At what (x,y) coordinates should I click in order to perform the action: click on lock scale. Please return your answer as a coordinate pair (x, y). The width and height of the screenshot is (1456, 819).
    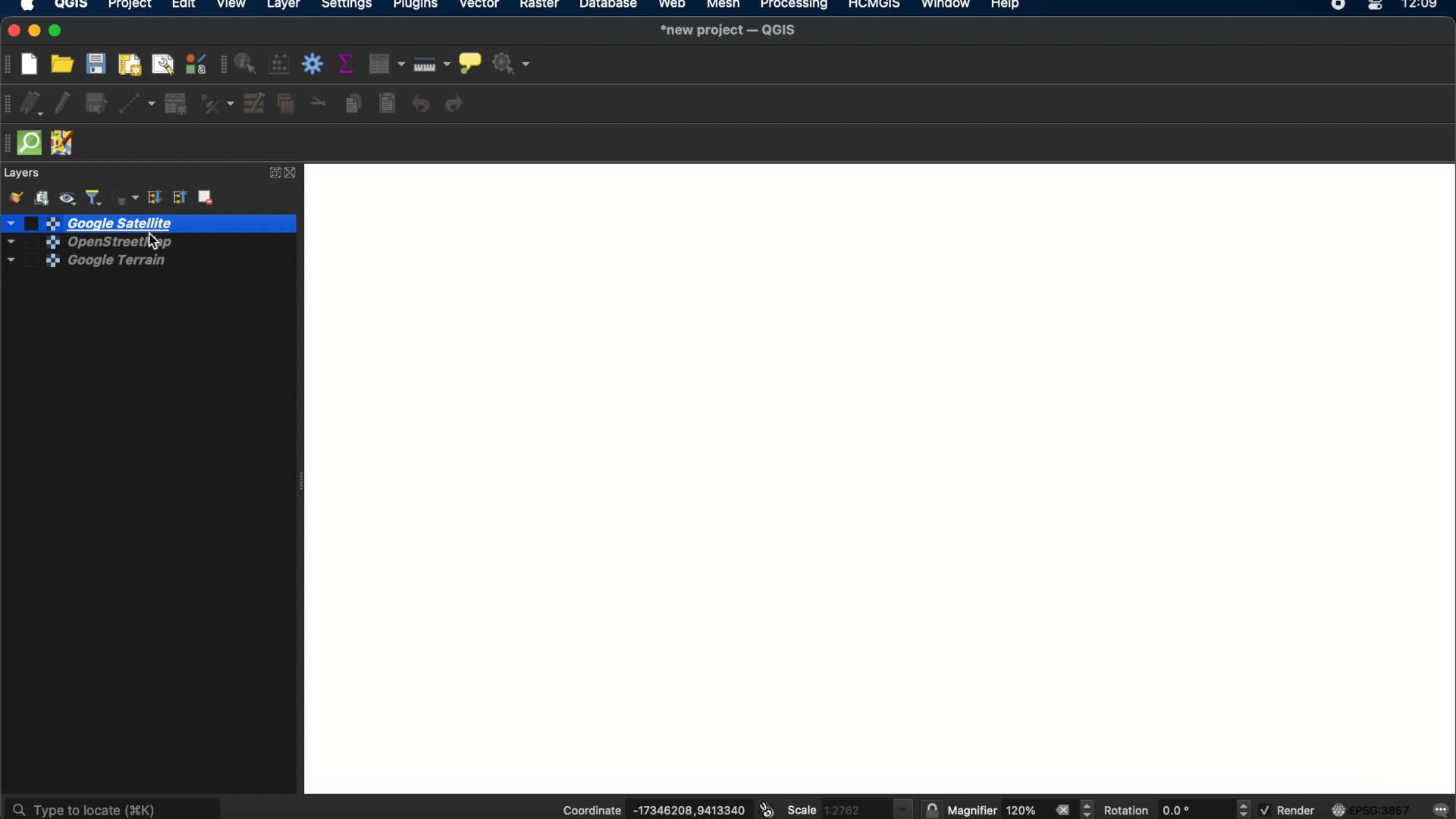
    Looking at the image, I should click on (931, 810).